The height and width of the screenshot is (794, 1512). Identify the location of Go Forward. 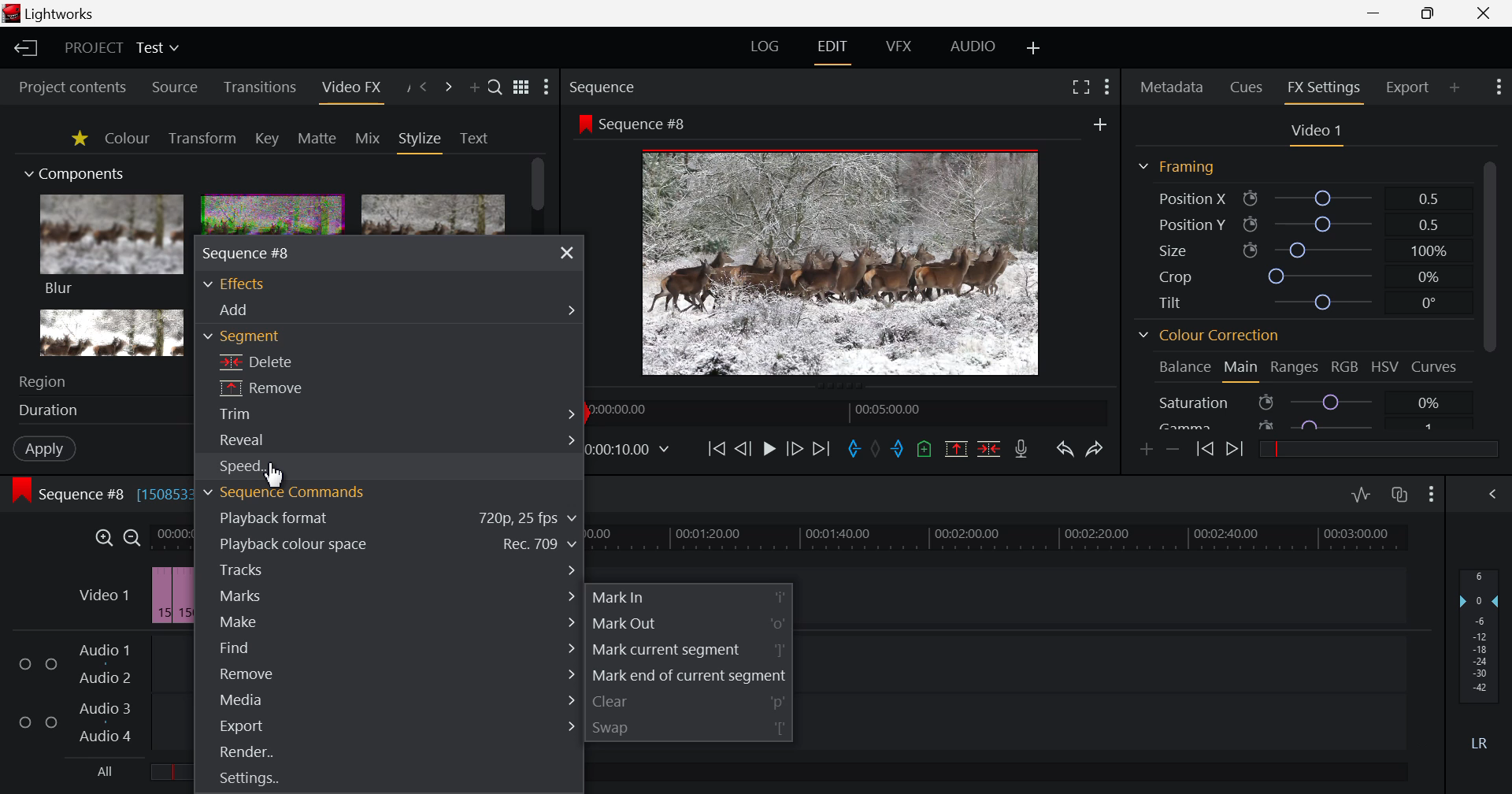
(795, 449).